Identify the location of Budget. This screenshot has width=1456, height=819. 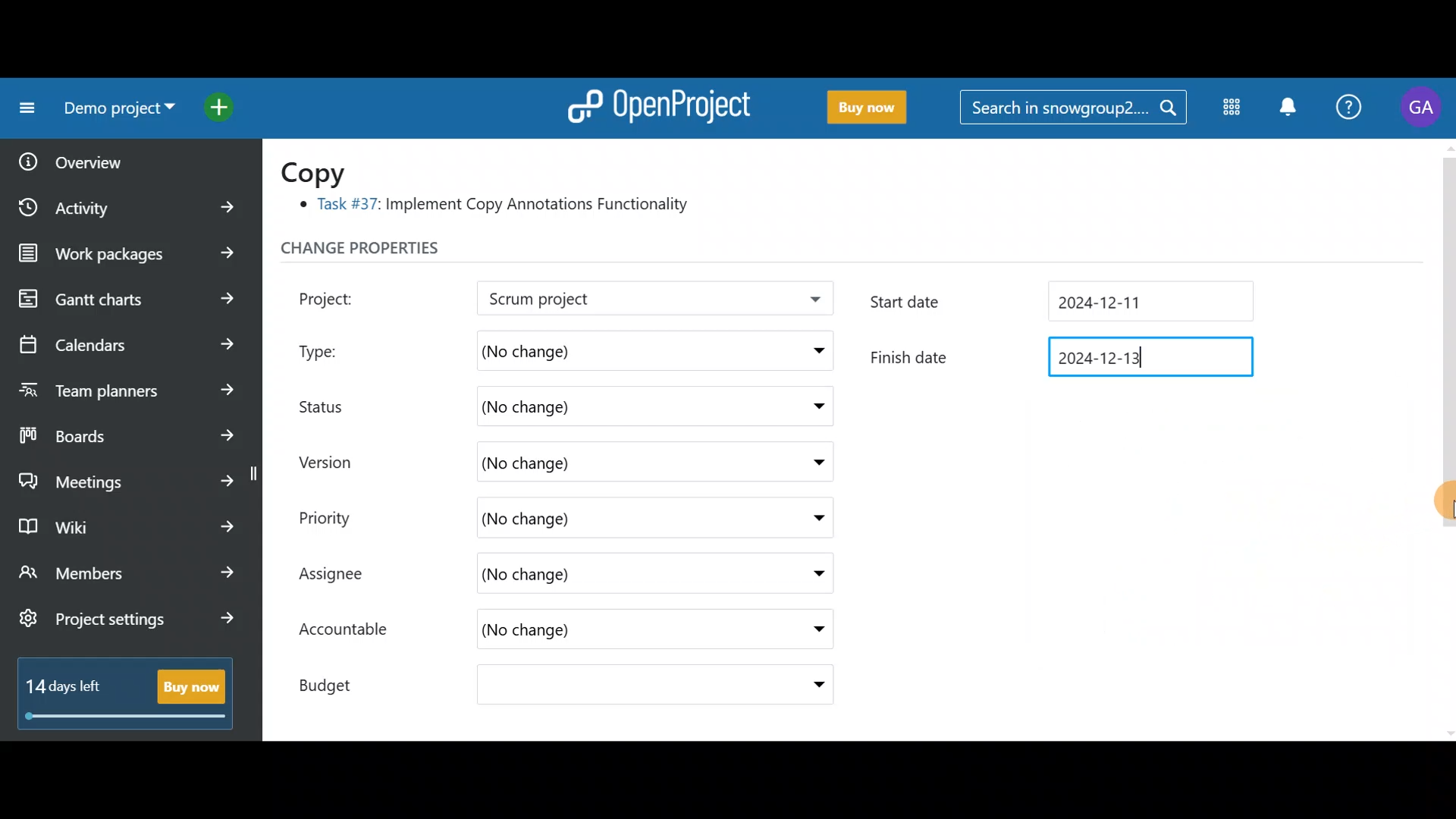
(340, 681).